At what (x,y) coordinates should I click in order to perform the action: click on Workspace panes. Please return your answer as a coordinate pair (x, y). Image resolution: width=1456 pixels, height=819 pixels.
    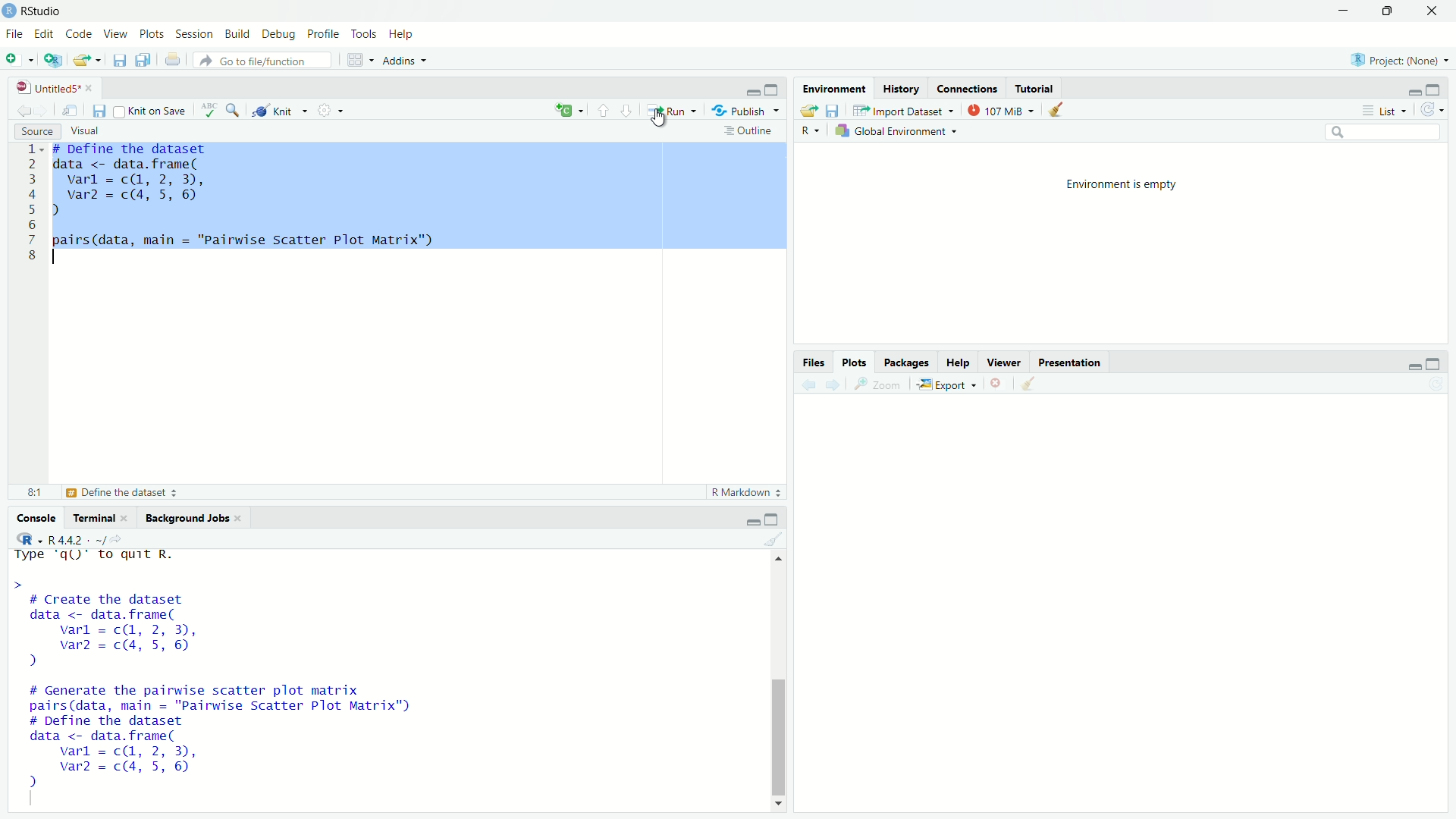
    Looking at the image, I should click on (357, 58).